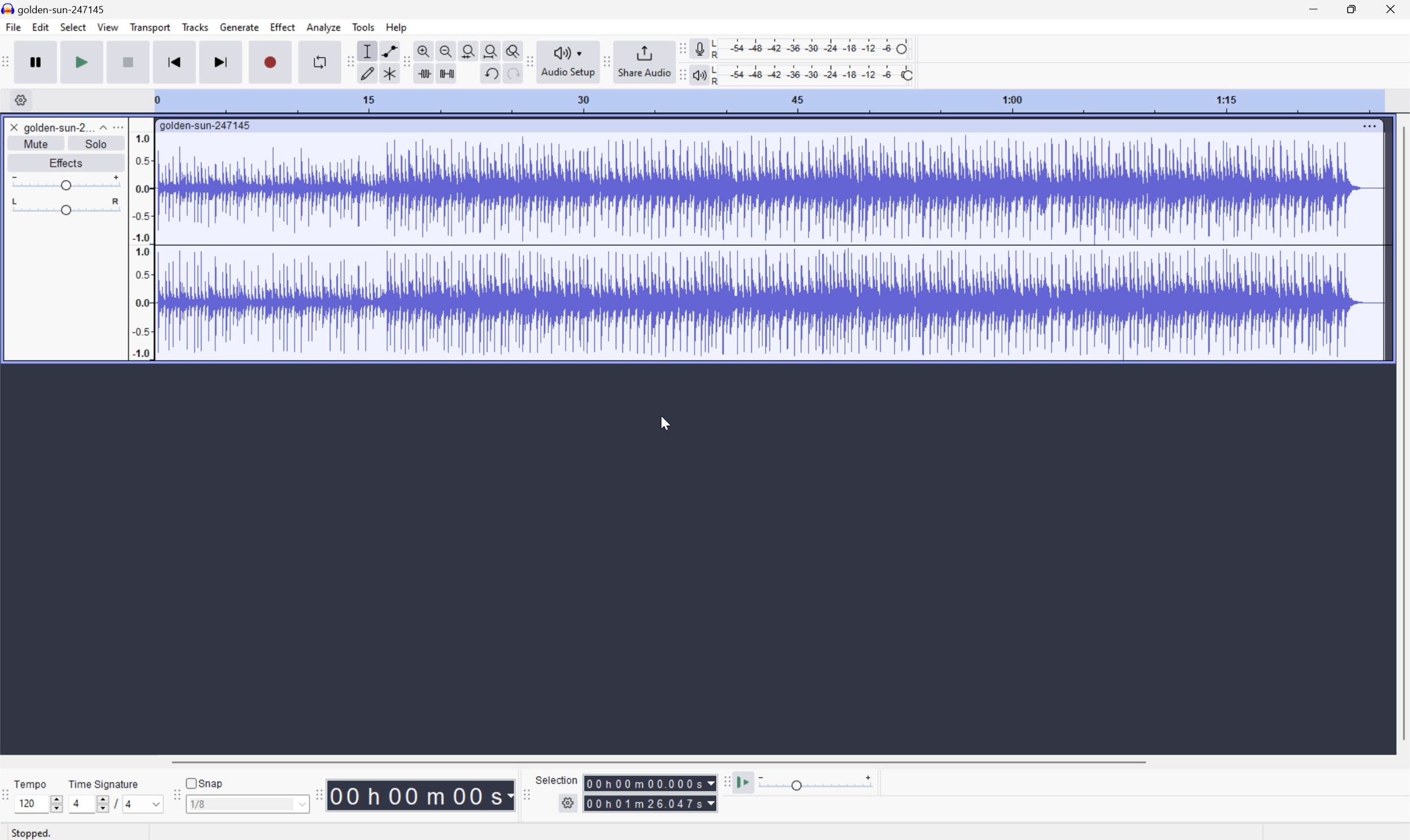 The height and width of the screenshot is (840, 1410). I want to click on Select, so click(73, 26).